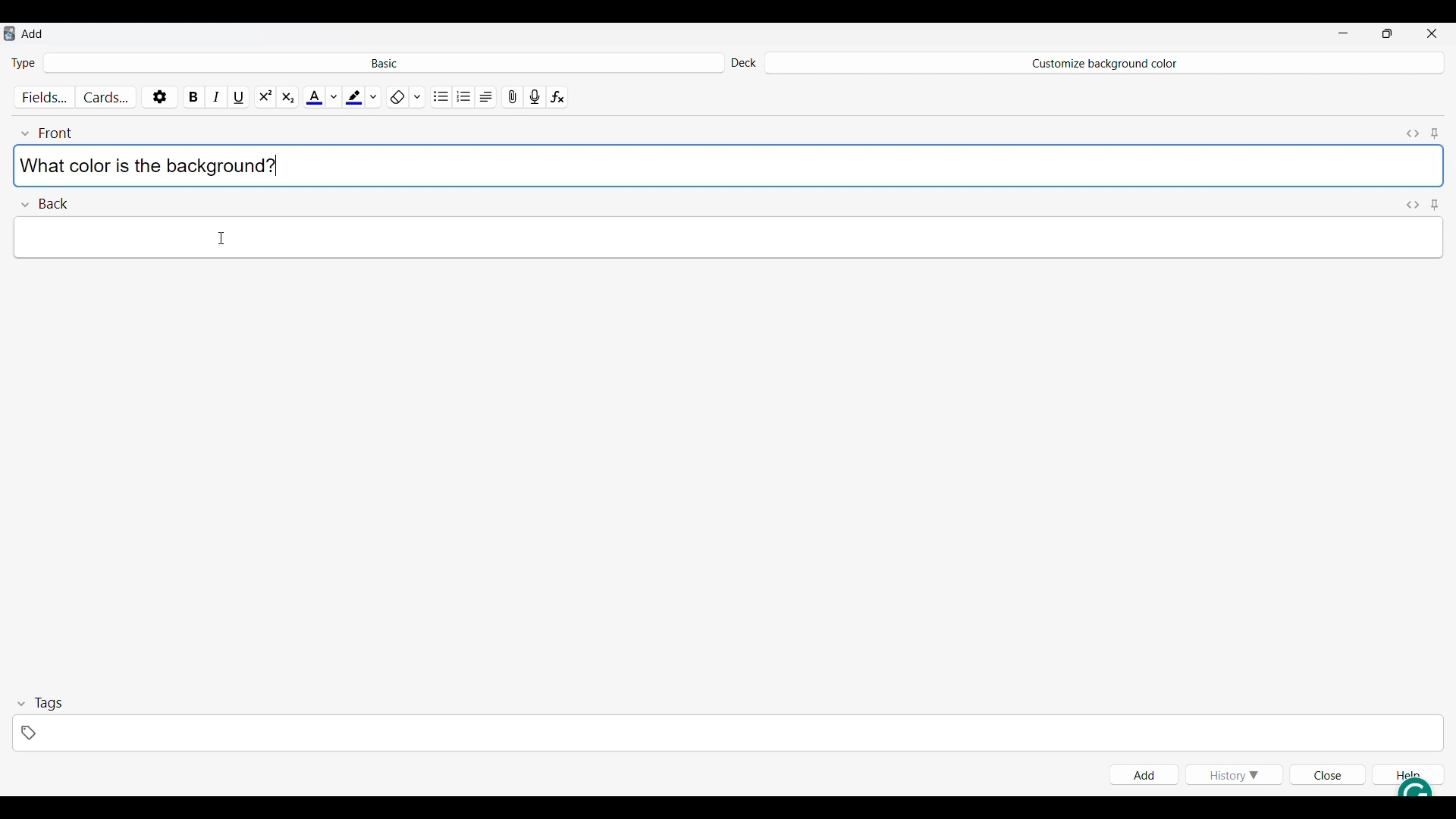 This screenshot has height=819, width=1456. Describe the element at coordinates (240, 94) in the screenshot. I see `Underline ` at that location.